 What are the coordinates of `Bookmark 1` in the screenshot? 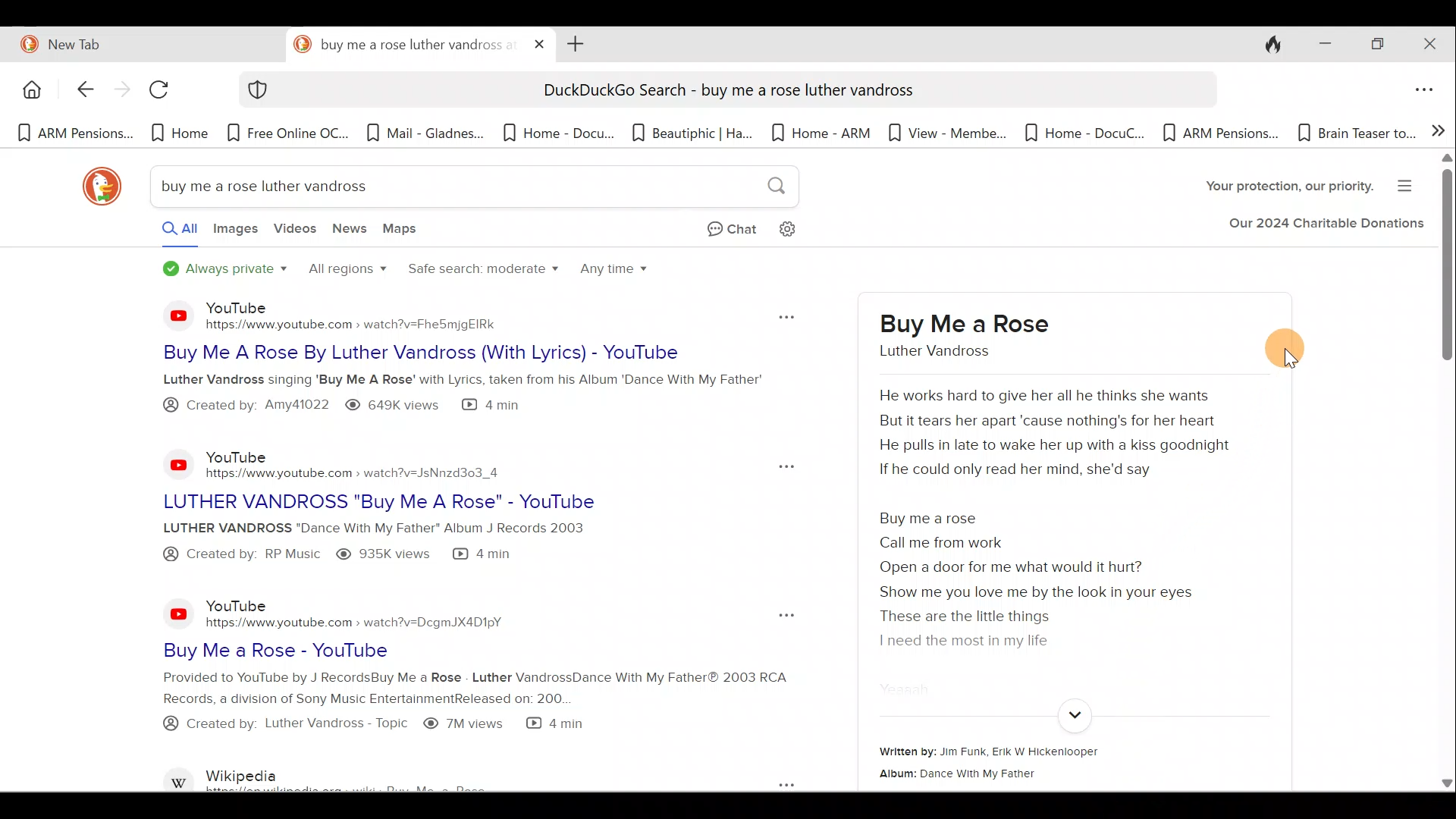 It's located at (74, 134).